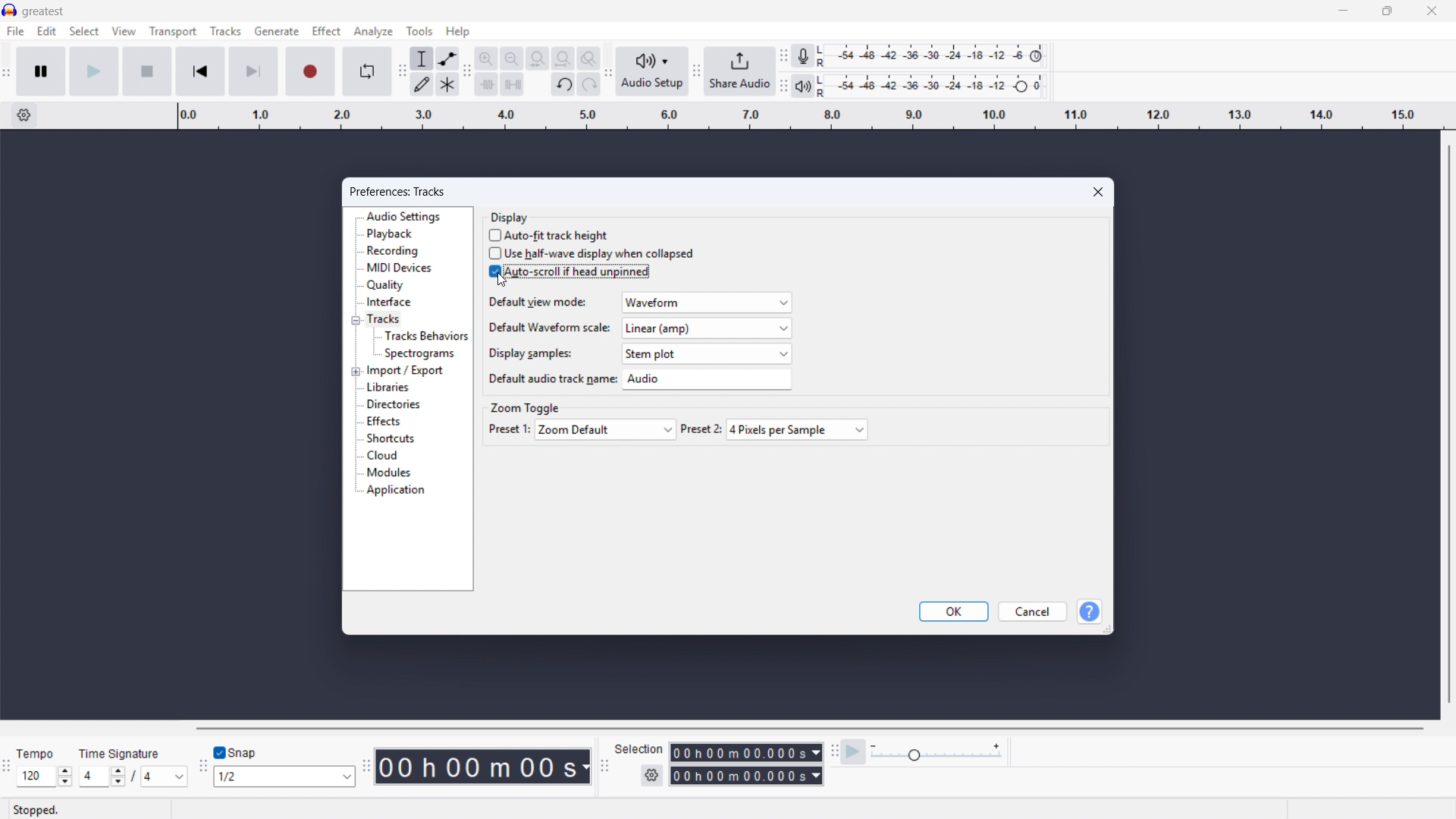  I want to click on Midi devices, so click(400, 267).